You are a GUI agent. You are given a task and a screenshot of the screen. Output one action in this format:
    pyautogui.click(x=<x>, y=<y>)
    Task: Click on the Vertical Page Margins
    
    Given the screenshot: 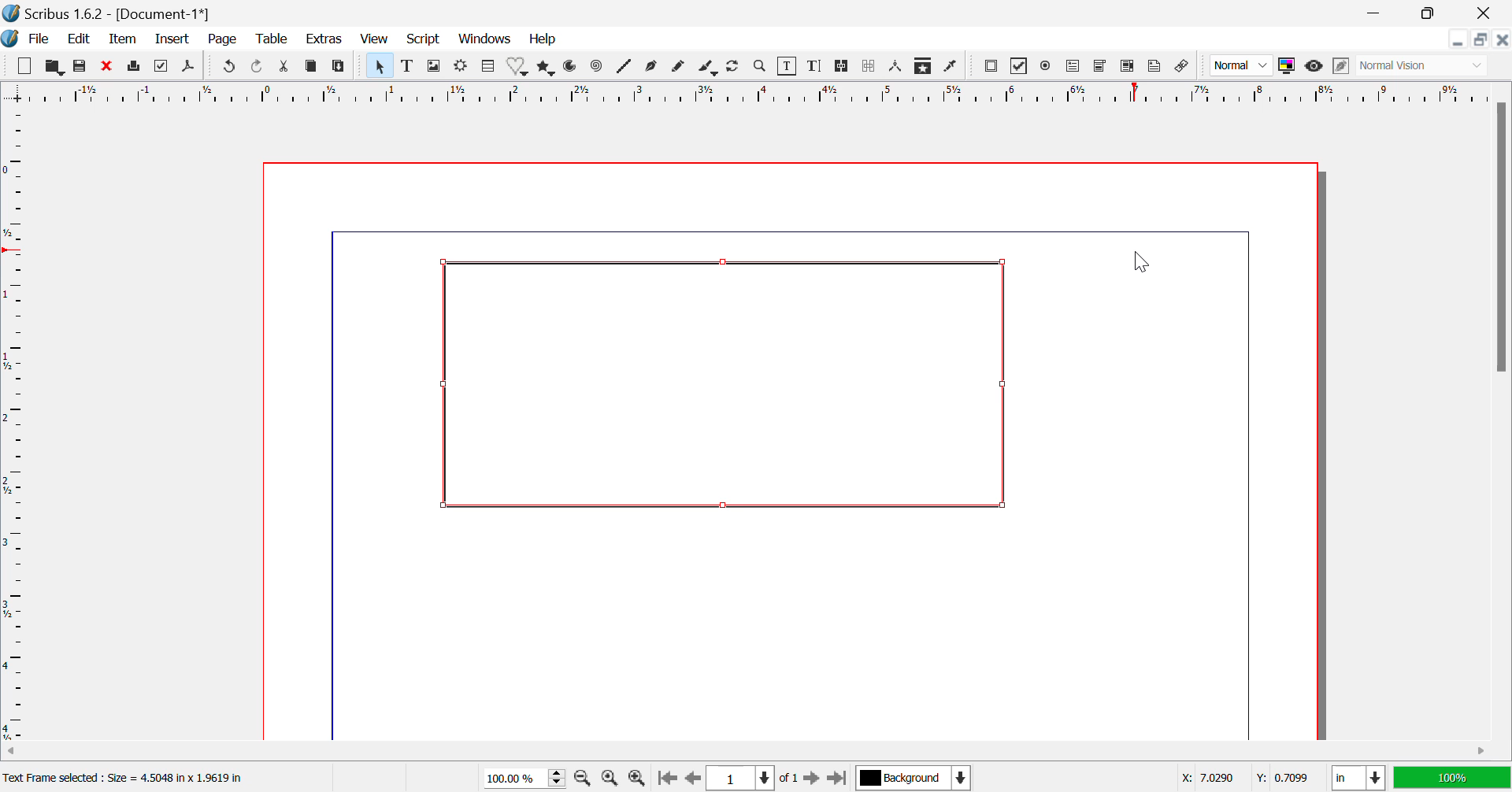 What is the action you would take?
    pyautogui.click(x=752, y=94)
    